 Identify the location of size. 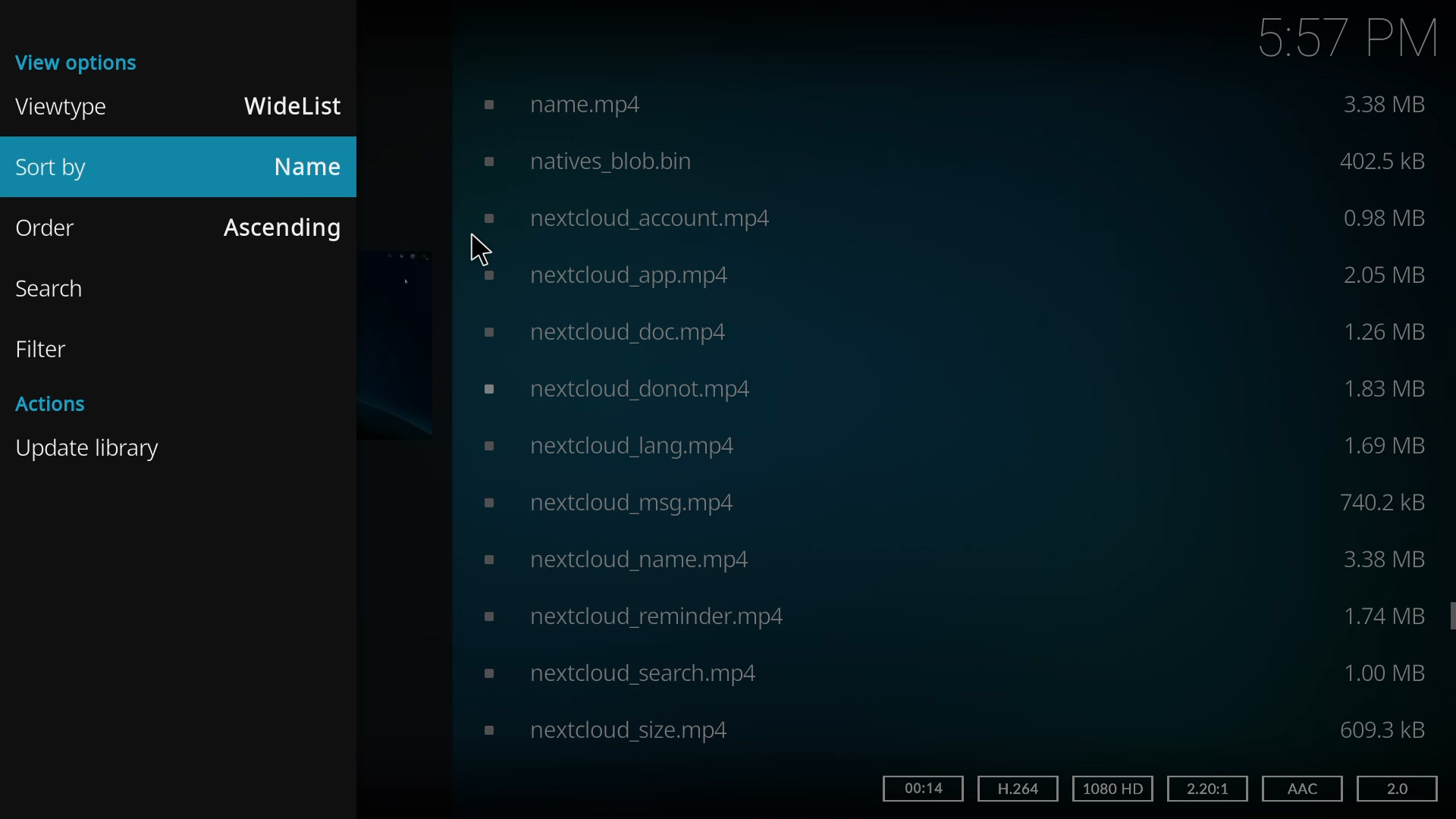
(1384, 618).